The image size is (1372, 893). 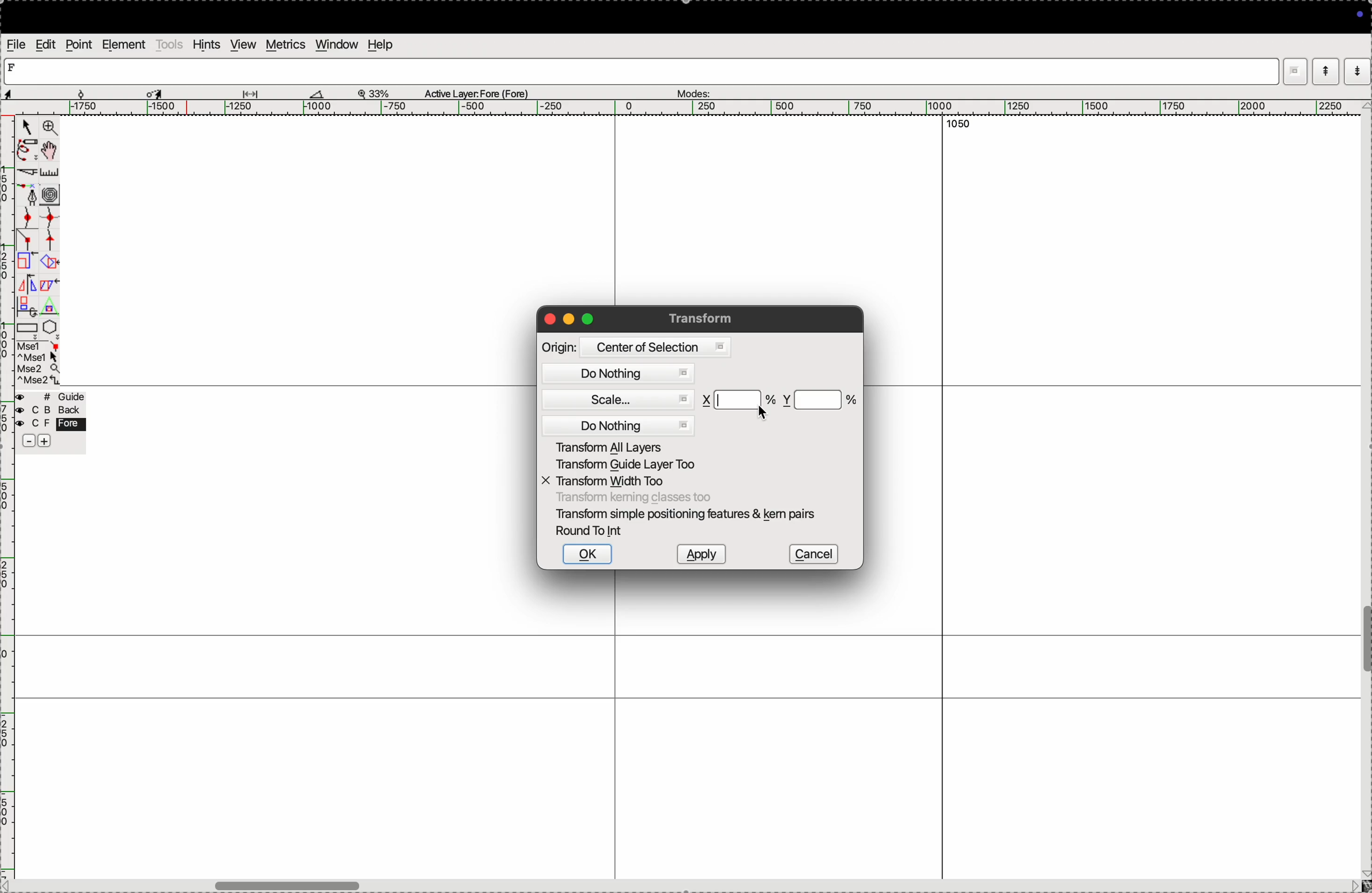 What do you see at coordinates (242, 44) in the screenshot?
I see `view` at bounding box center [242, 44].